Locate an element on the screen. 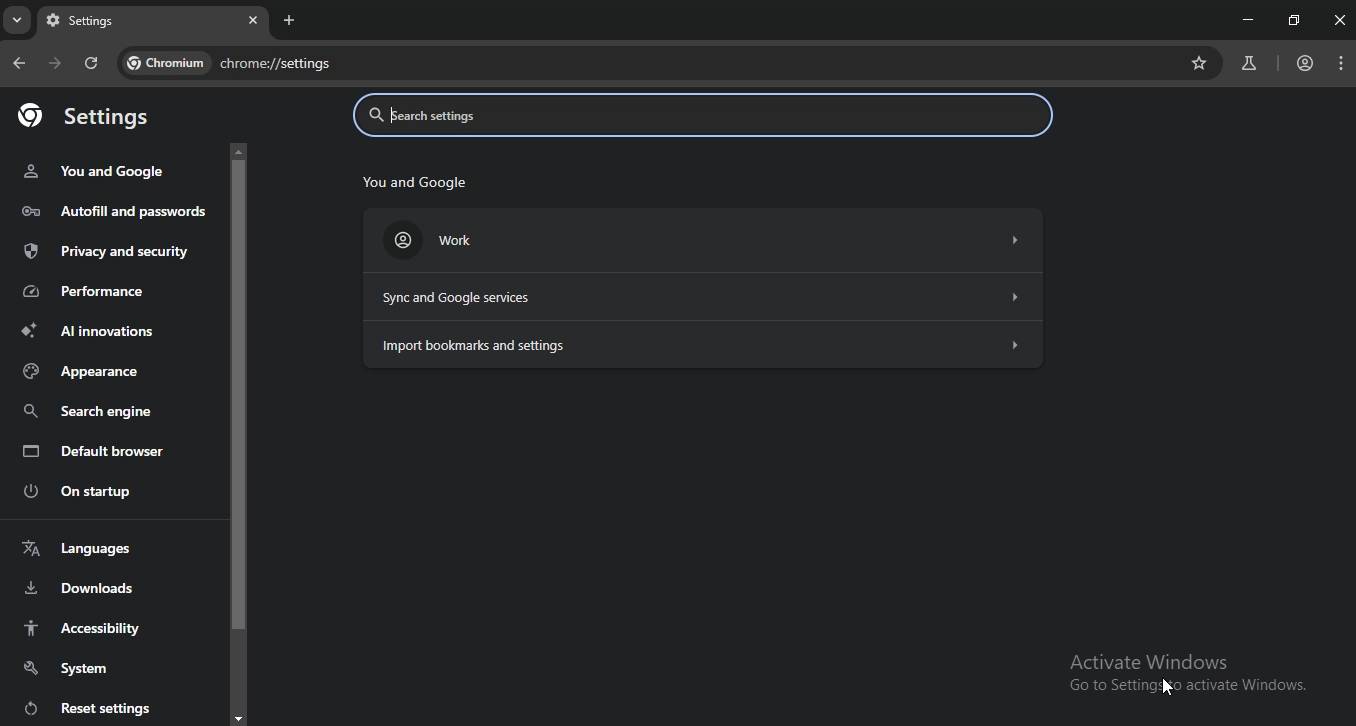 The width and height of the screenshot is (1356, 726). new tab is located at coordinates (290, 20).